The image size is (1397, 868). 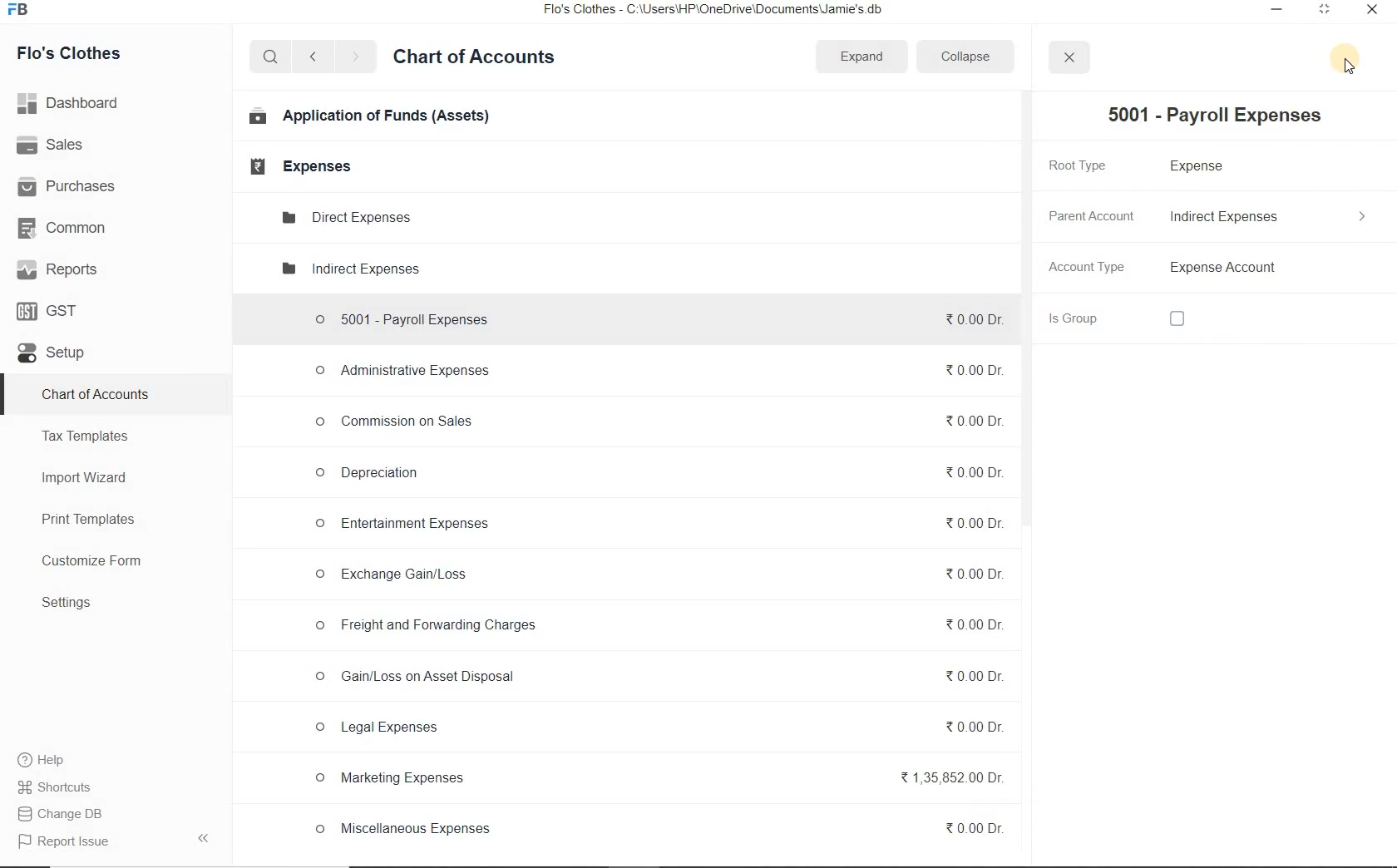 What do you see at coordinates (723, 11) in the screenshot?
I see `Flo's Clothes - C:\Users\HP\OneDrive\Documents\Jamie's db` at bounding box center [723, 11].